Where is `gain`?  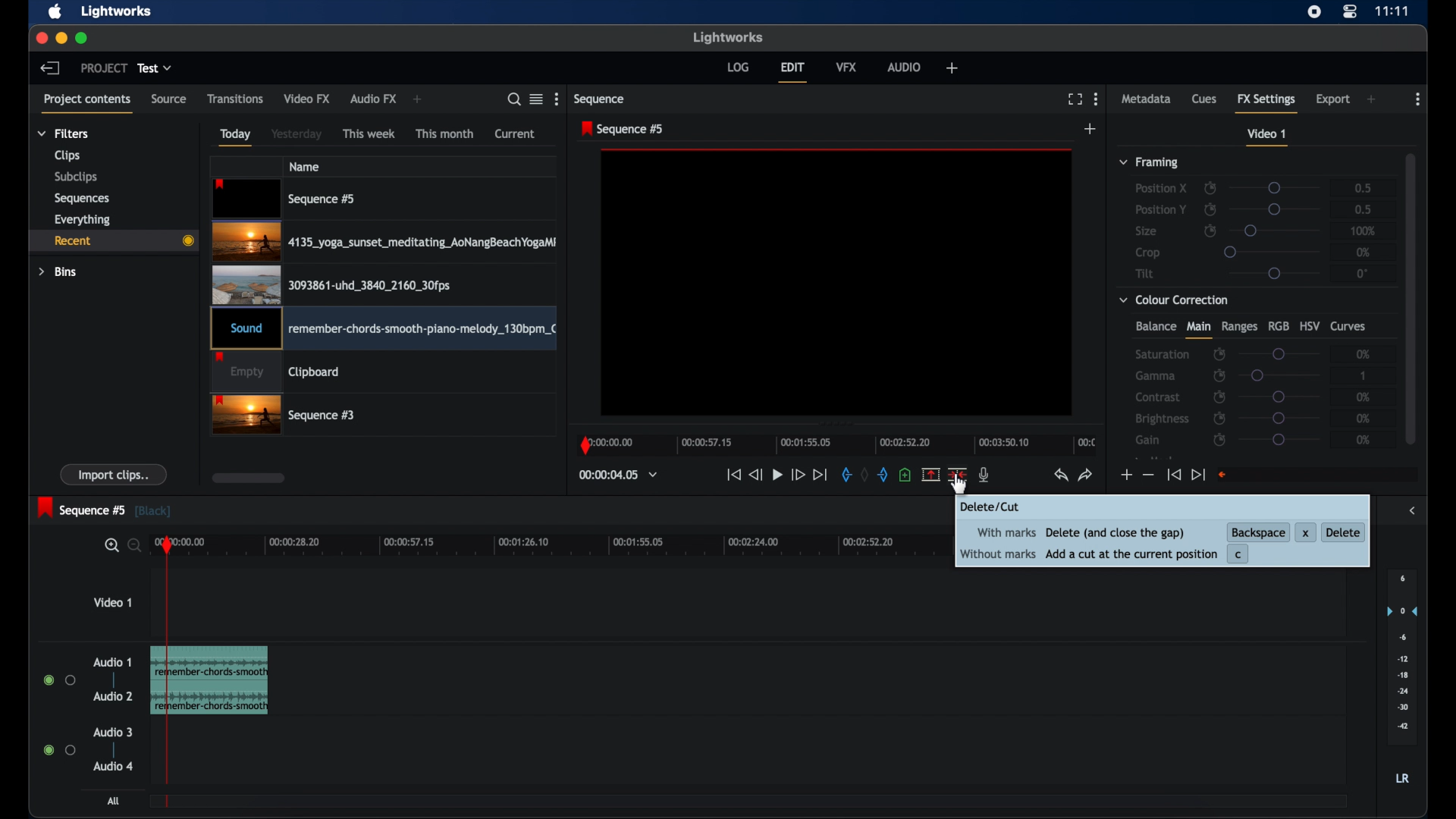
gain is located at coordinates (1150, 440).